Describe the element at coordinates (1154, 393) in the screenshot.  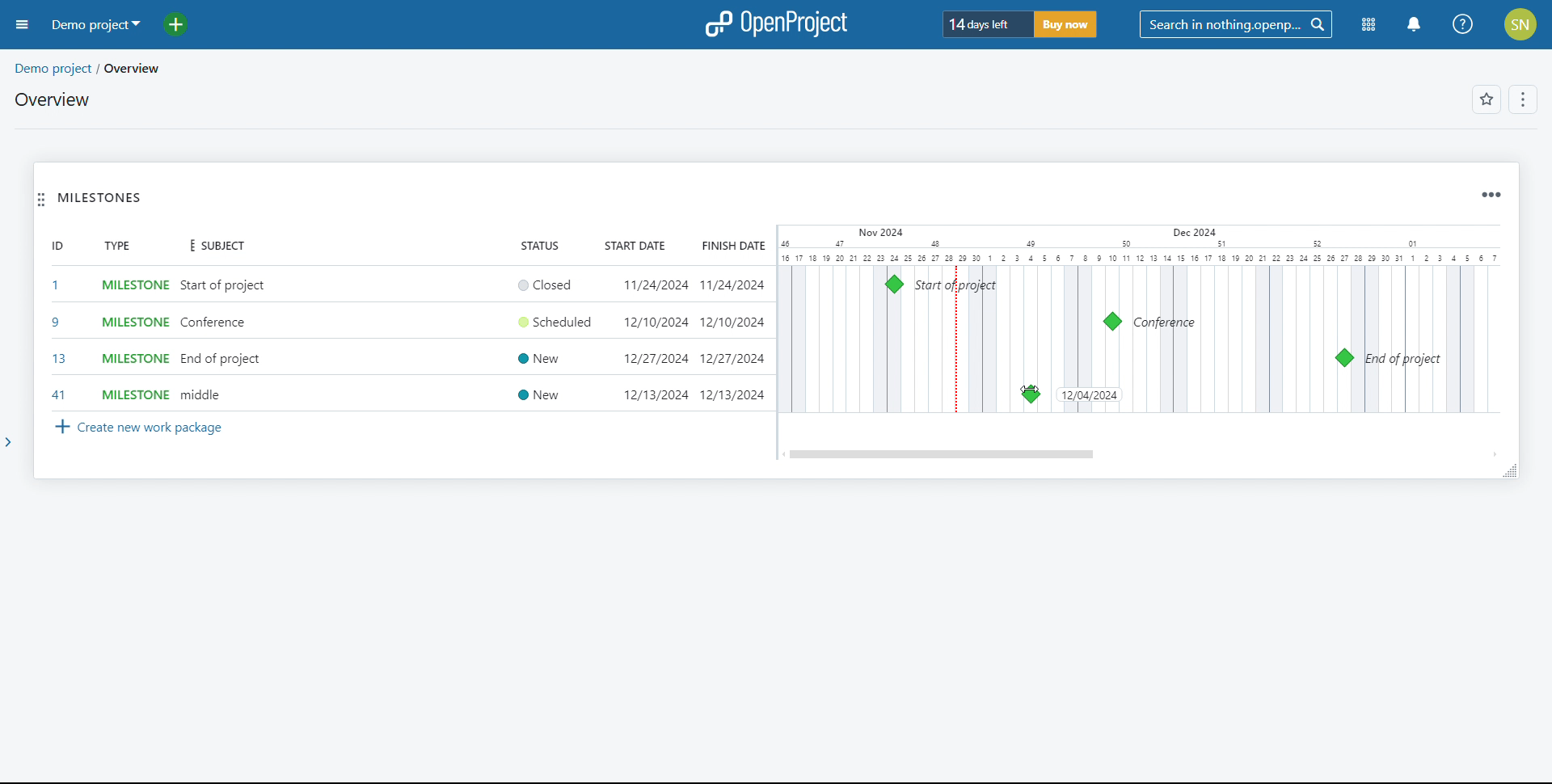
I see `cursor` at that location.